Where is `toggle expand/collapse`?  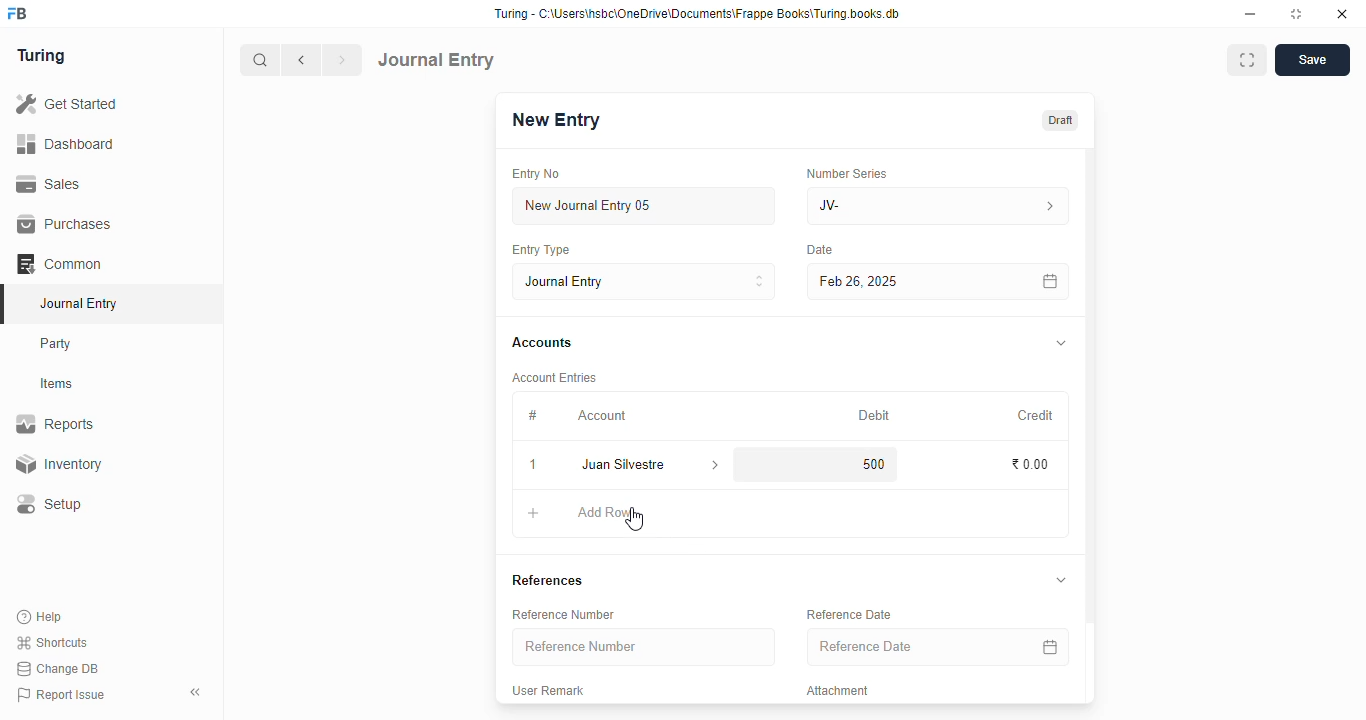
toggle expand/collapse is located at coordinates (1061, 580).